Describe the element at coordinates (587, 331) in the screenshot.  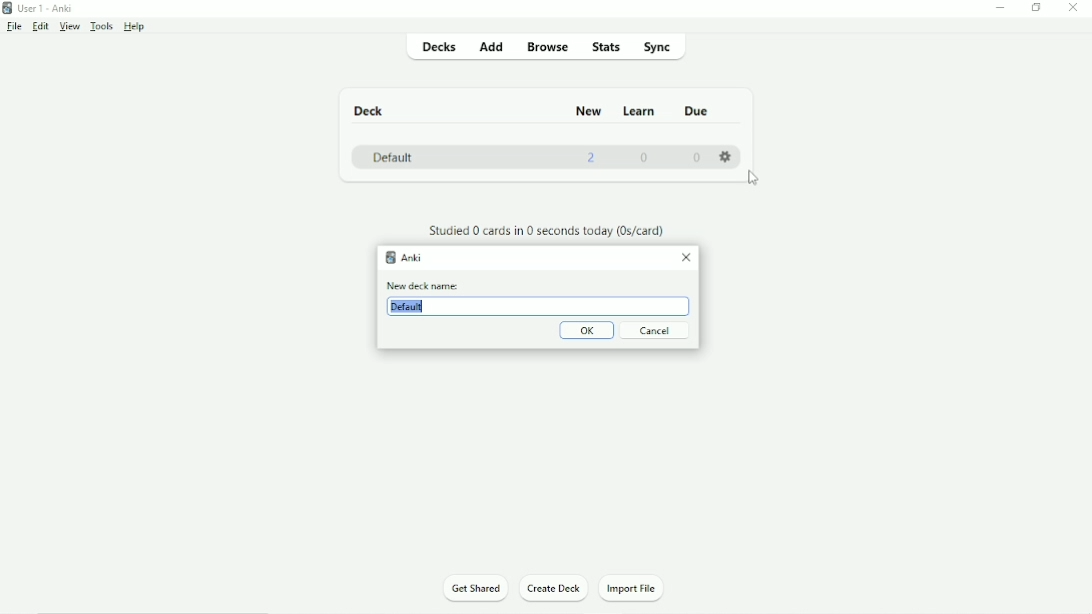
I see `OK` at that location.